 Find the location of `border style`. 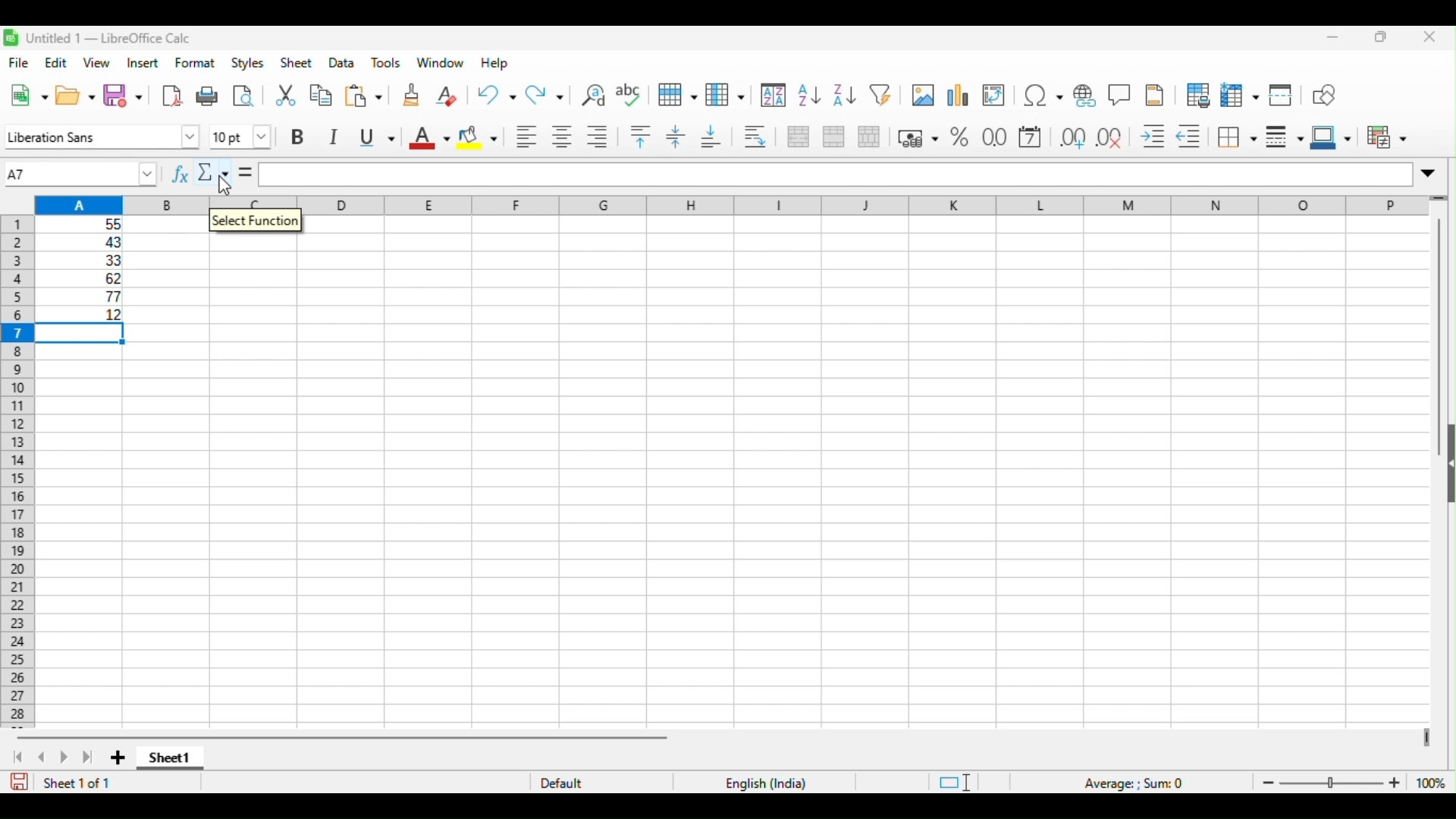

border style is located at coordinates (1283, 135).